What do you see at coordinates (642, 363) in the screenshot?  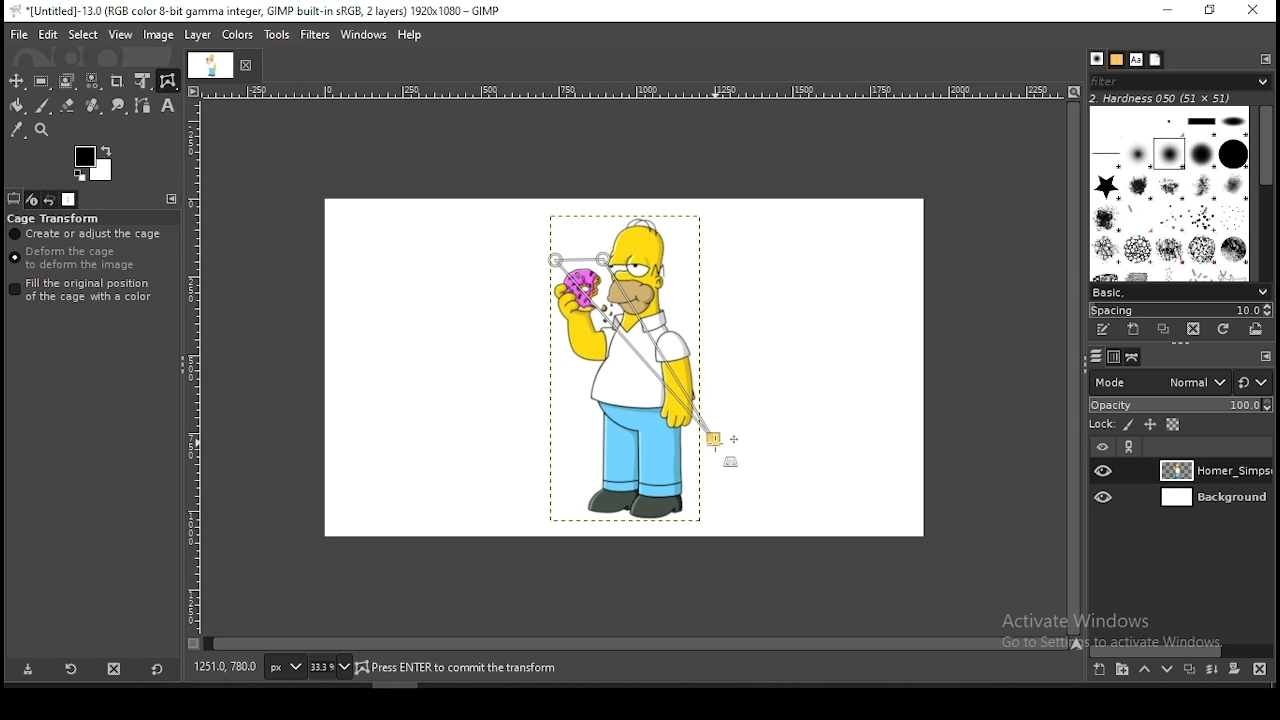 I see `active cage transform` at bounding box center [642, 363].